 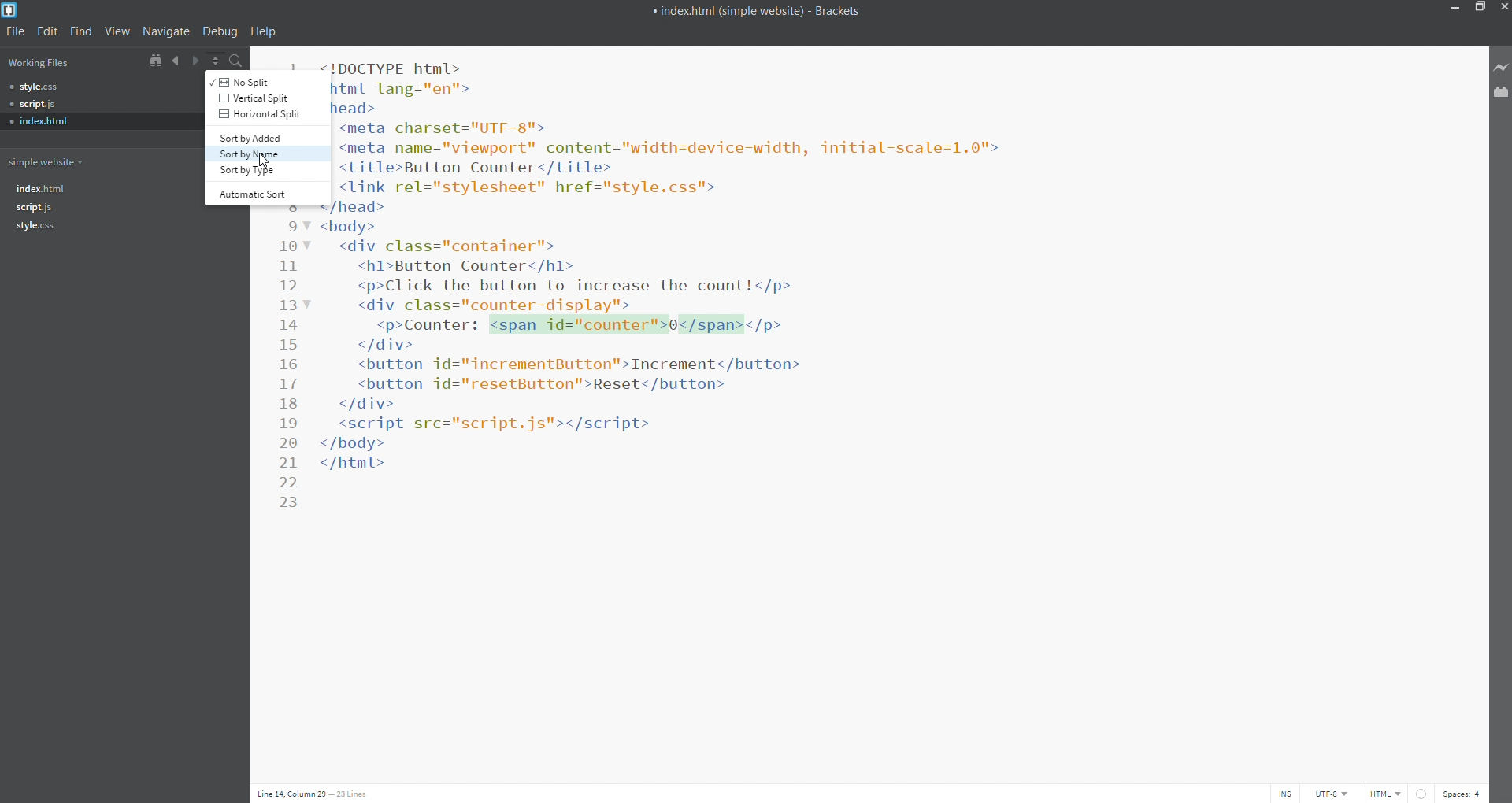 What do you see at coordinates (1503, 97) in the screenshot?
I see `extension manager` at bounding box center [1503, 97].